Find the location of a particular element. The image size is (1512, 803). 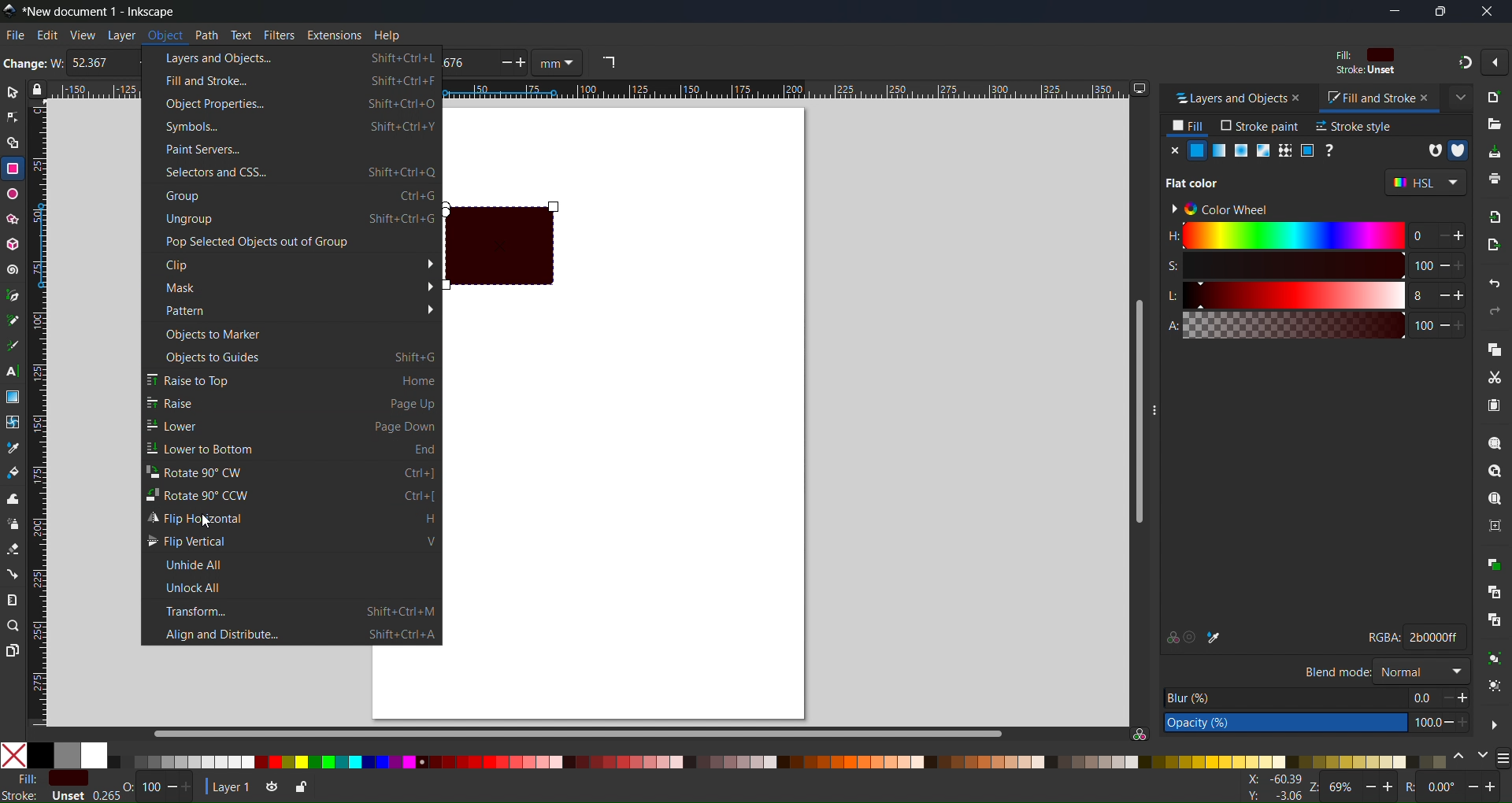

increase alpha is located at coordinates (1464, 324).